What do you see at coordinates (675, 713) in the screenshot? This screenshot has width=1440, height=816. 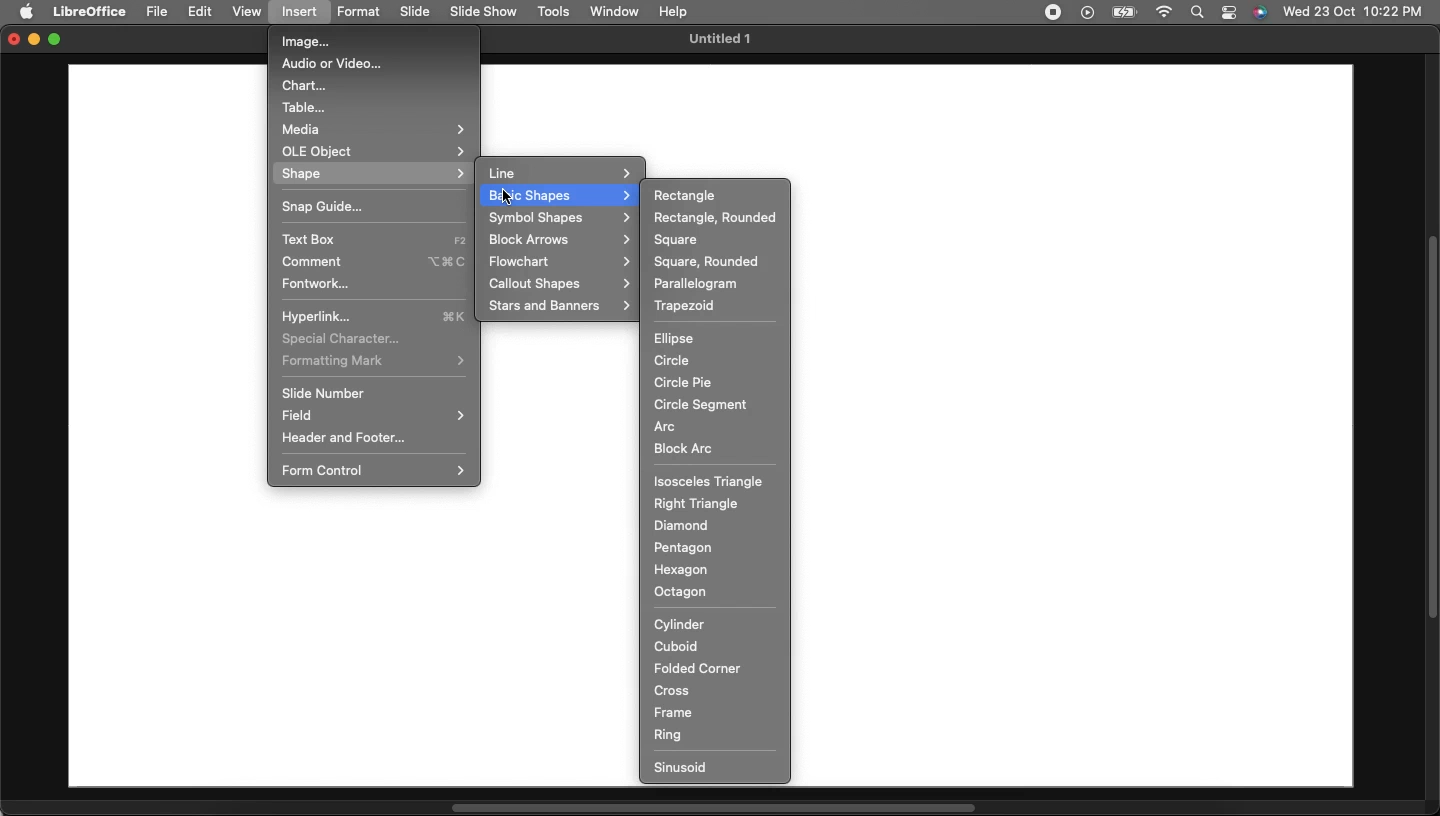 I see `Frame` at bounding box center [675, 713].